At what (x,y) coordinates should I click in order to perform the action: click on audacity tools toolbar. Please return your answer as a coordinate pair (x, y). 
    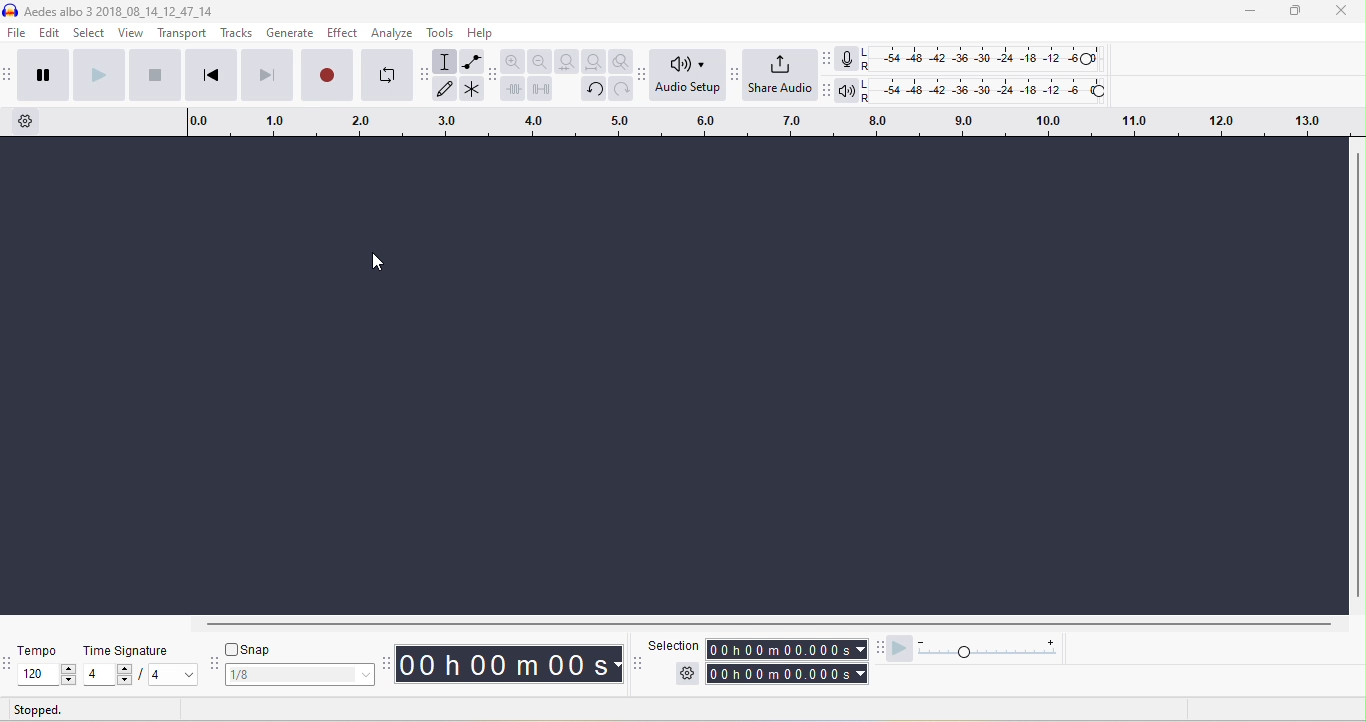
    Looking at the image, I should click on (427, 74).